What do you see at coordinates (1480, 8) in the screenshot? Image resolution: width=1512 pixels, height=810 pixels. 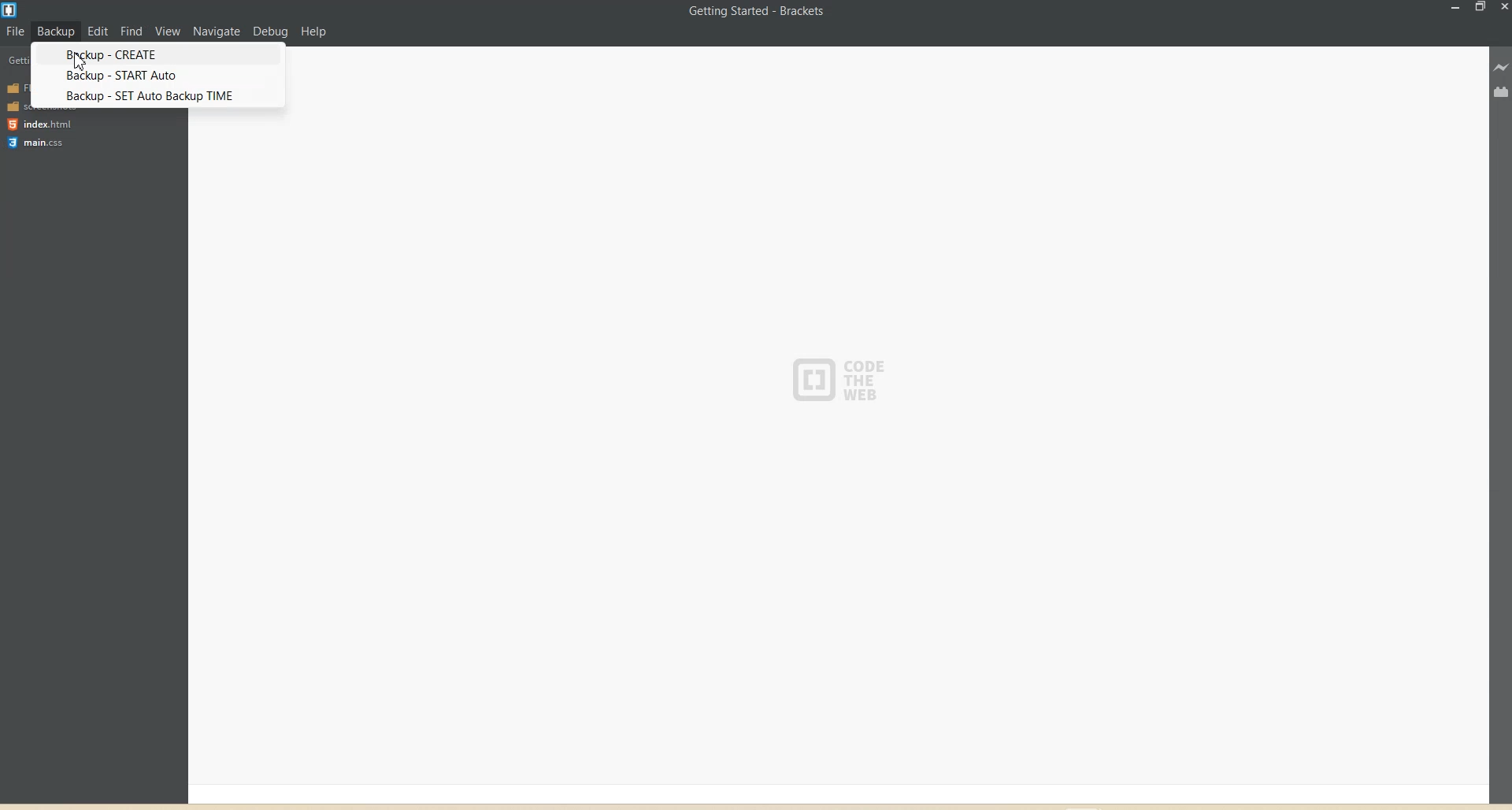 I see `Maximize` at bounding box center [1480, 8].